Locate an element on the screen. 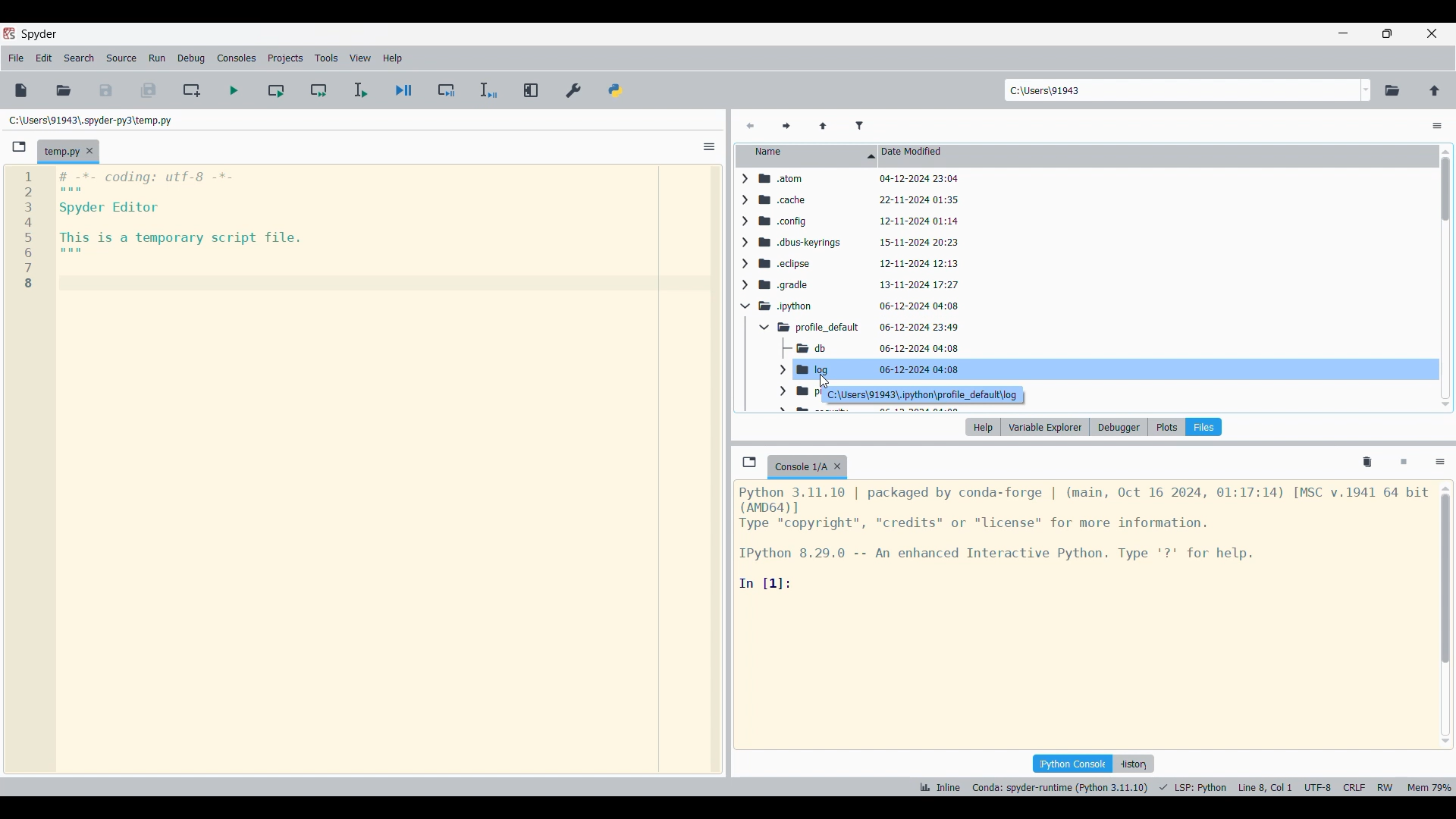  Run current cell is located at coordinates (276, 89).